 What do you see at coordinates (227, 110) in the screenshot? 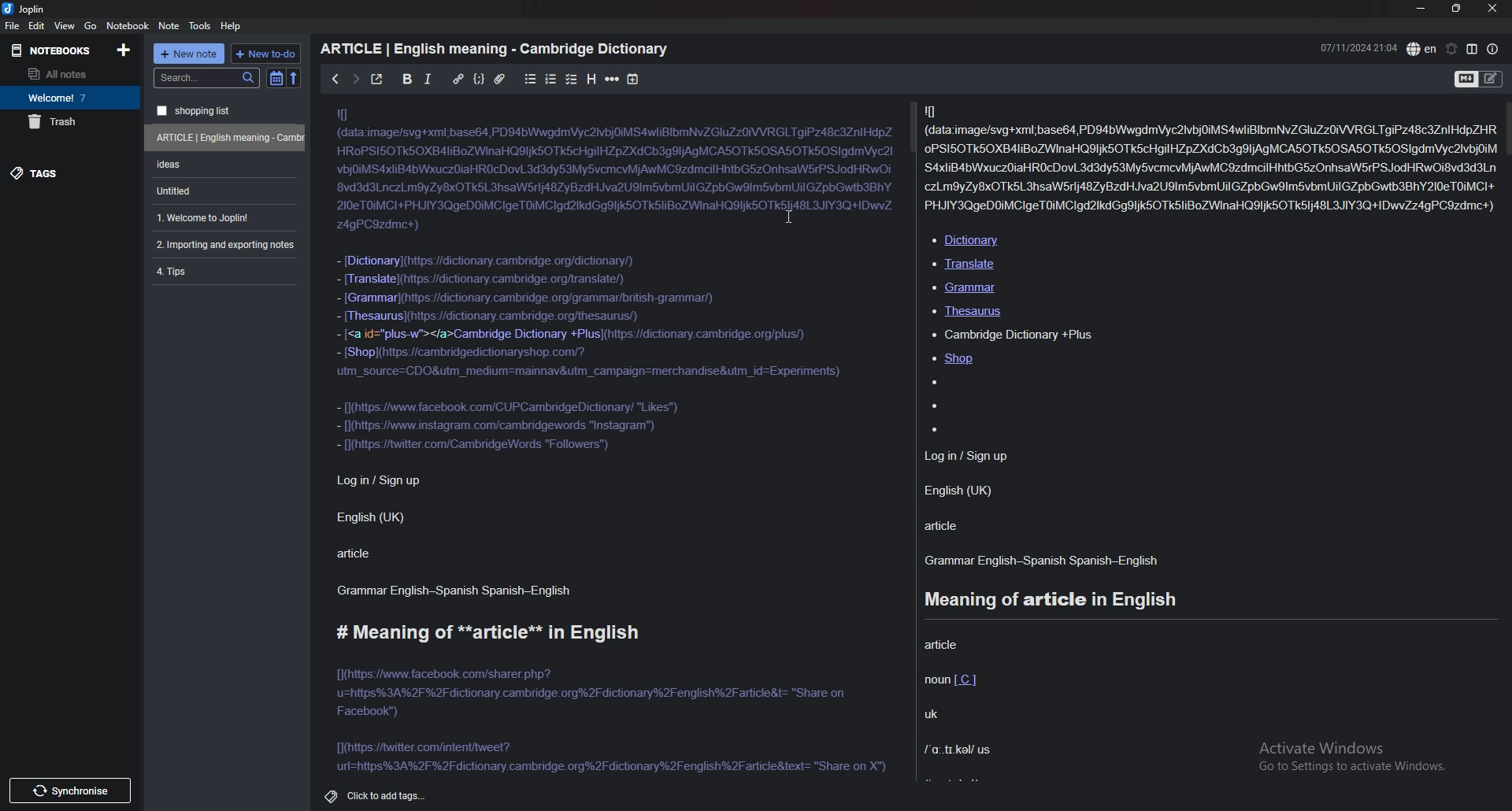
I see `note` at bounding box center [227, 110].